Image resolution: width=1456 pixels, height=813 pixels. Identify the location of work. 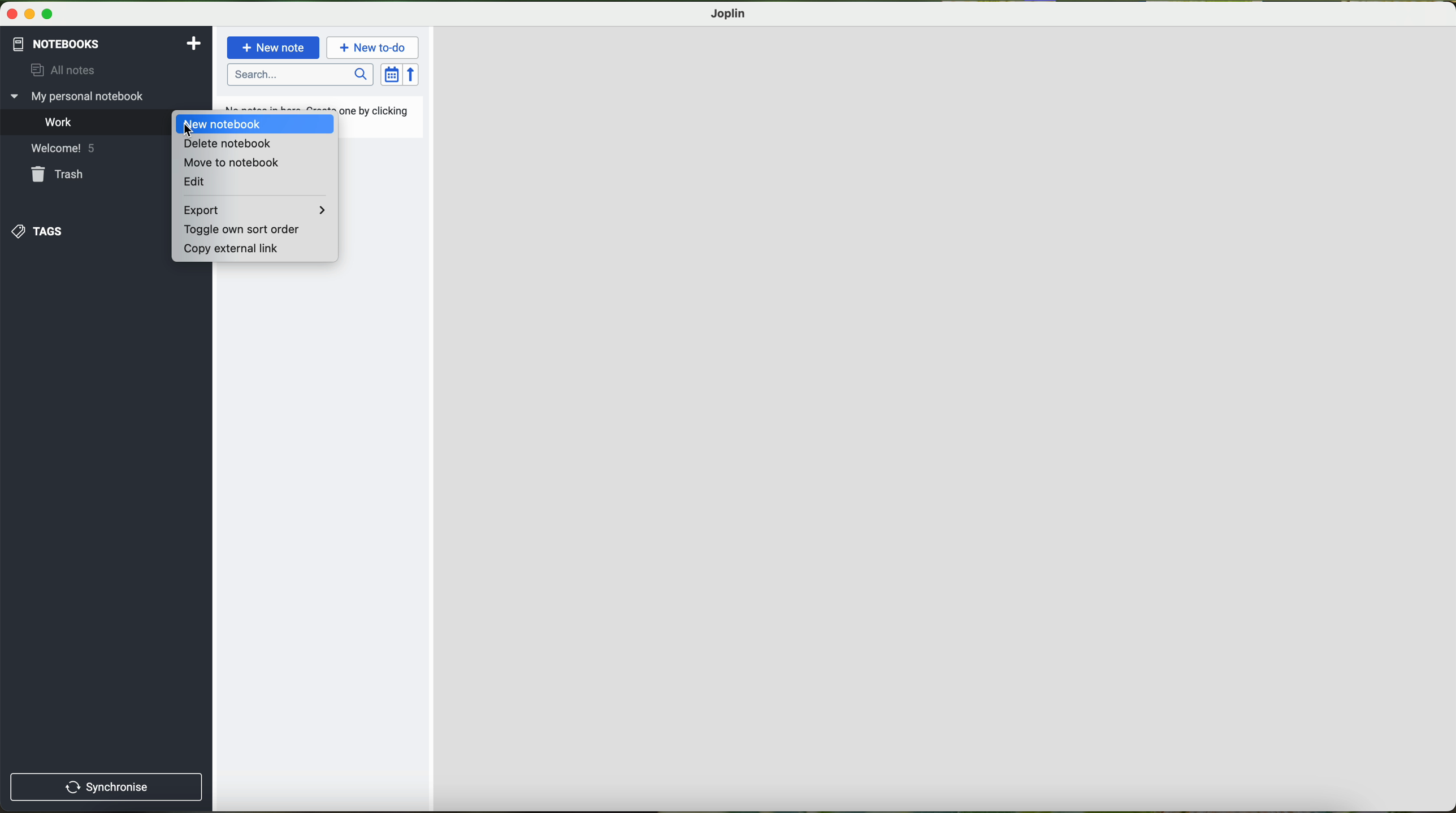
(61, 121).